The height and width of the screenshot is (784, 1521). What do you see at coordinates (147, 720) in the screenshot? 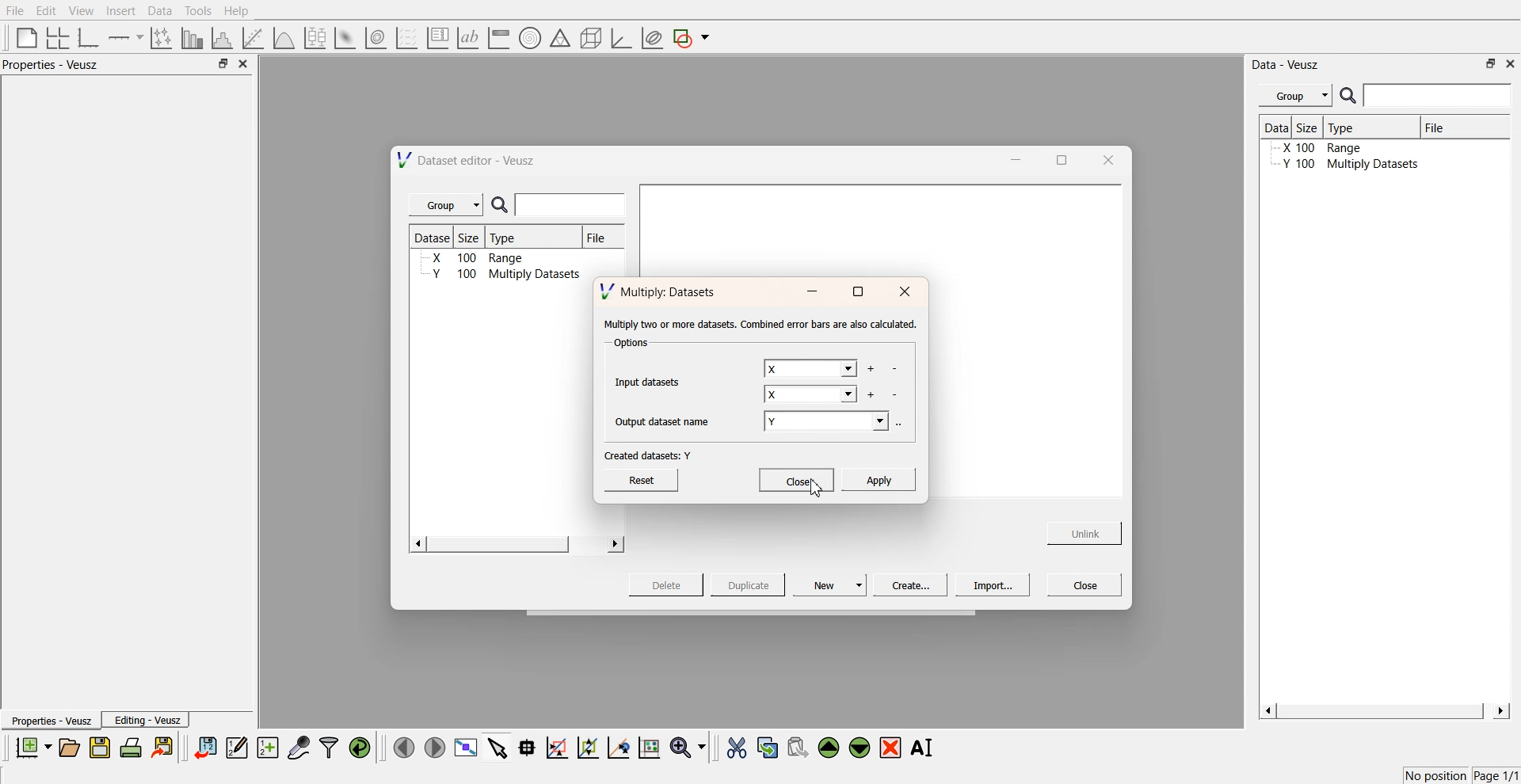
I see `Editing - Veusz` at bounding box center [147, 720].